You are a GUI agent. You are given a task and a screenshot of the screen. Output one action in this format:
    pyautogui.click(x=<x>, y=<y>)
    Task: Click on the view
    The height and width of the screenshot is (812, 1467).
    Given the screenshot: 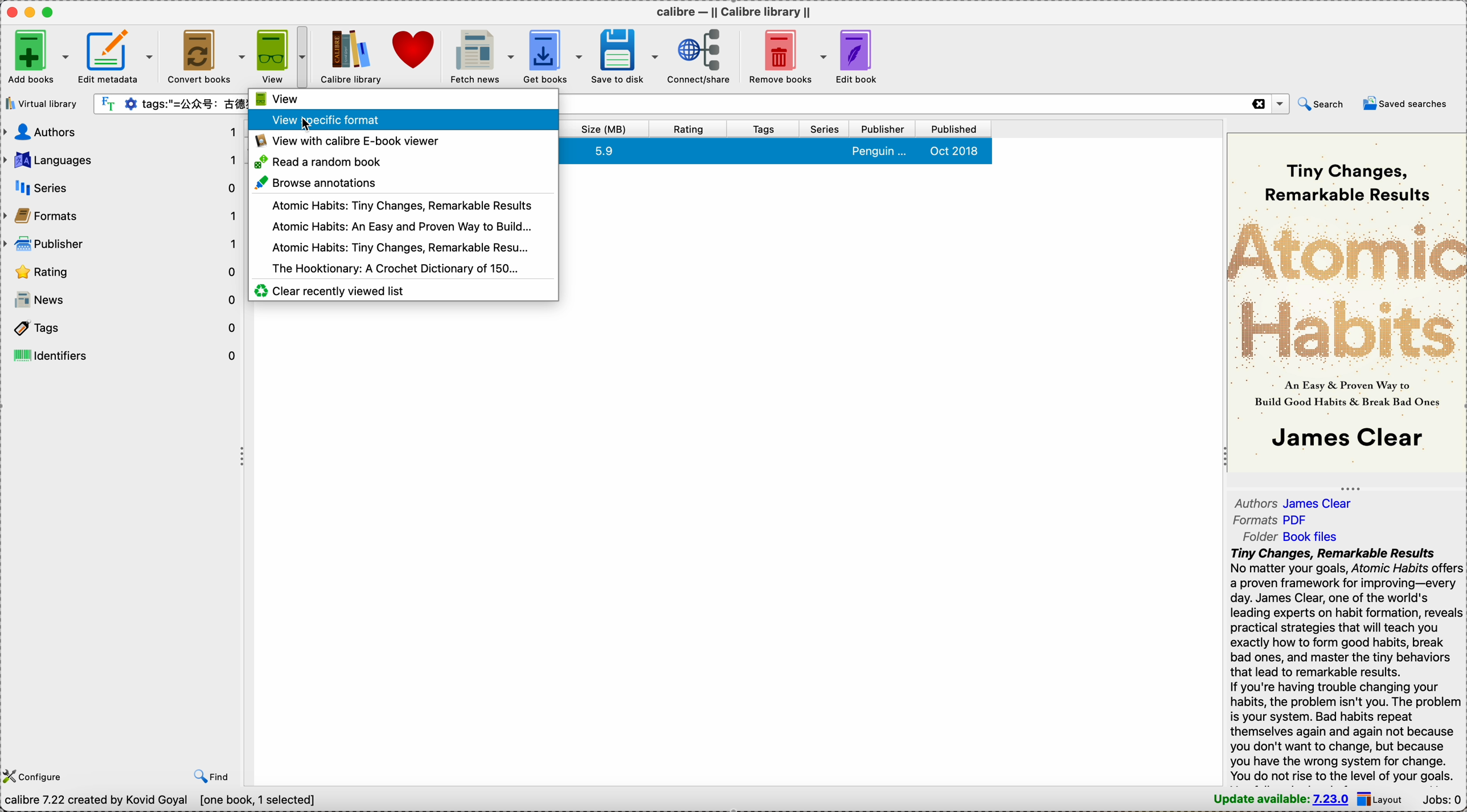 What is the action you would take?
    pyautogui.click(x=277, y=99)
    